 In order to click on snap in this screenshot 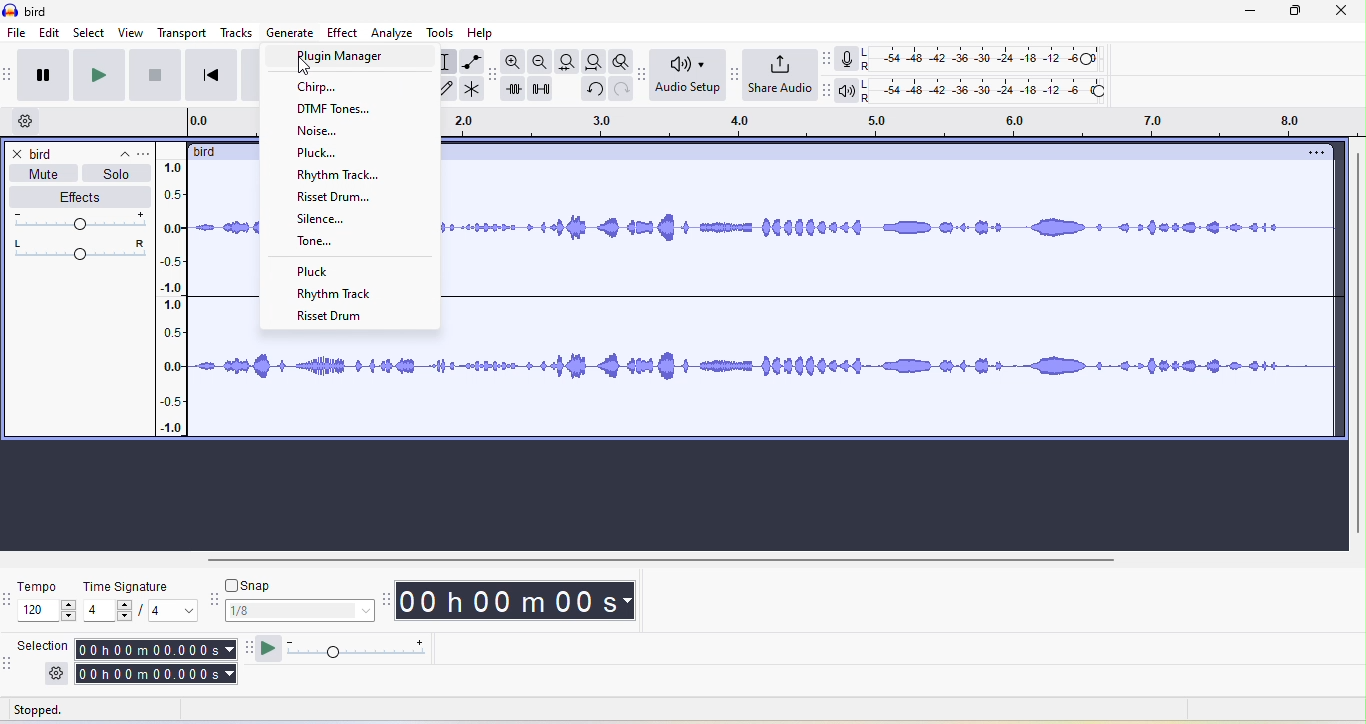, I will do `click(254, 585)`.